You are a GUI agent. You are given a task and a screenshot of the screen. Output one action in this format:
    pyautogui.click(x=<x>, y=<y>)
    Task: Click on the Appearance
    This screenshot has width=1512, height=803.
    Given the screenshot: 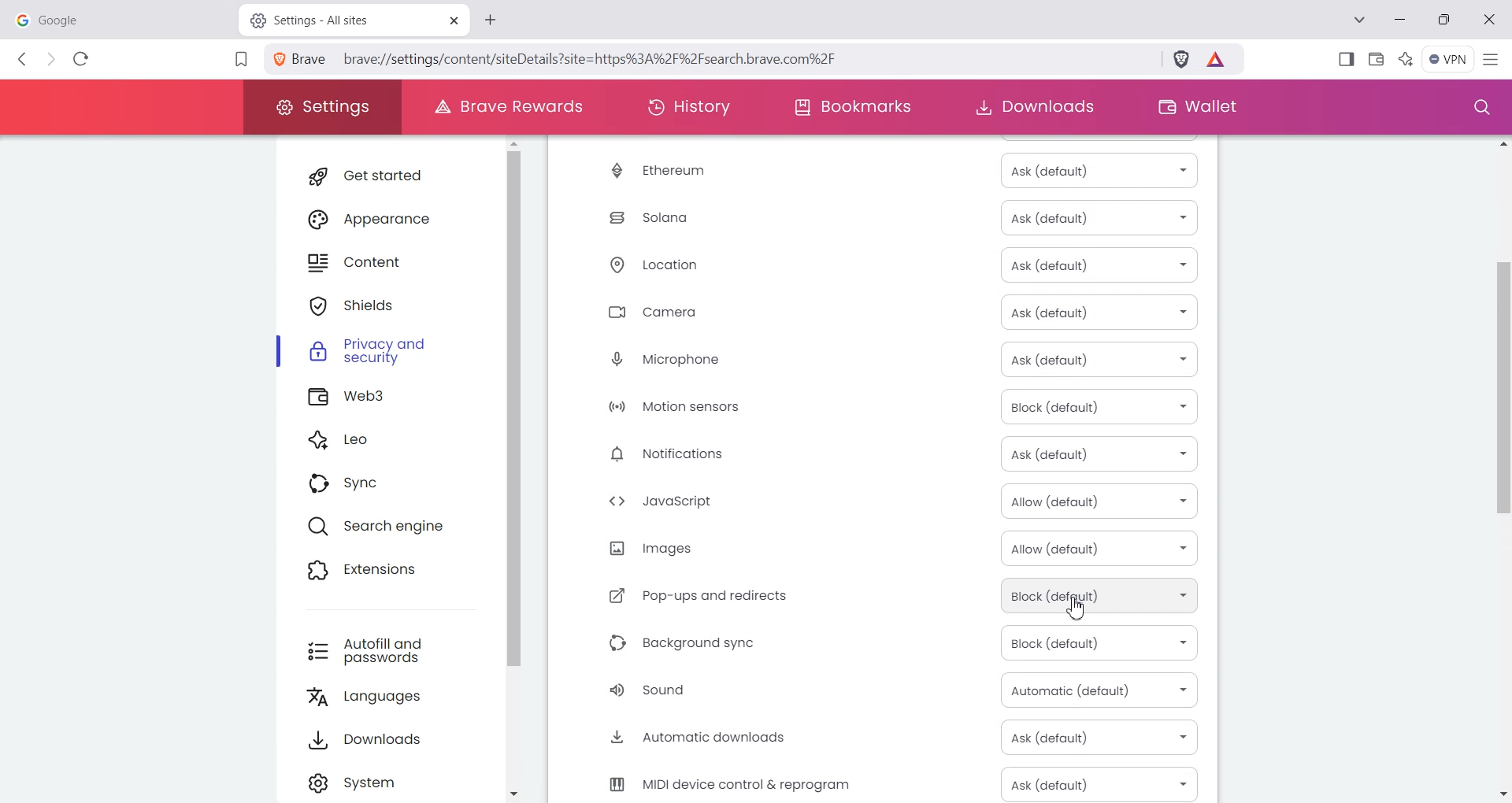 What is the action you would take?
    pyautogui.click(x=388, y=217)
    